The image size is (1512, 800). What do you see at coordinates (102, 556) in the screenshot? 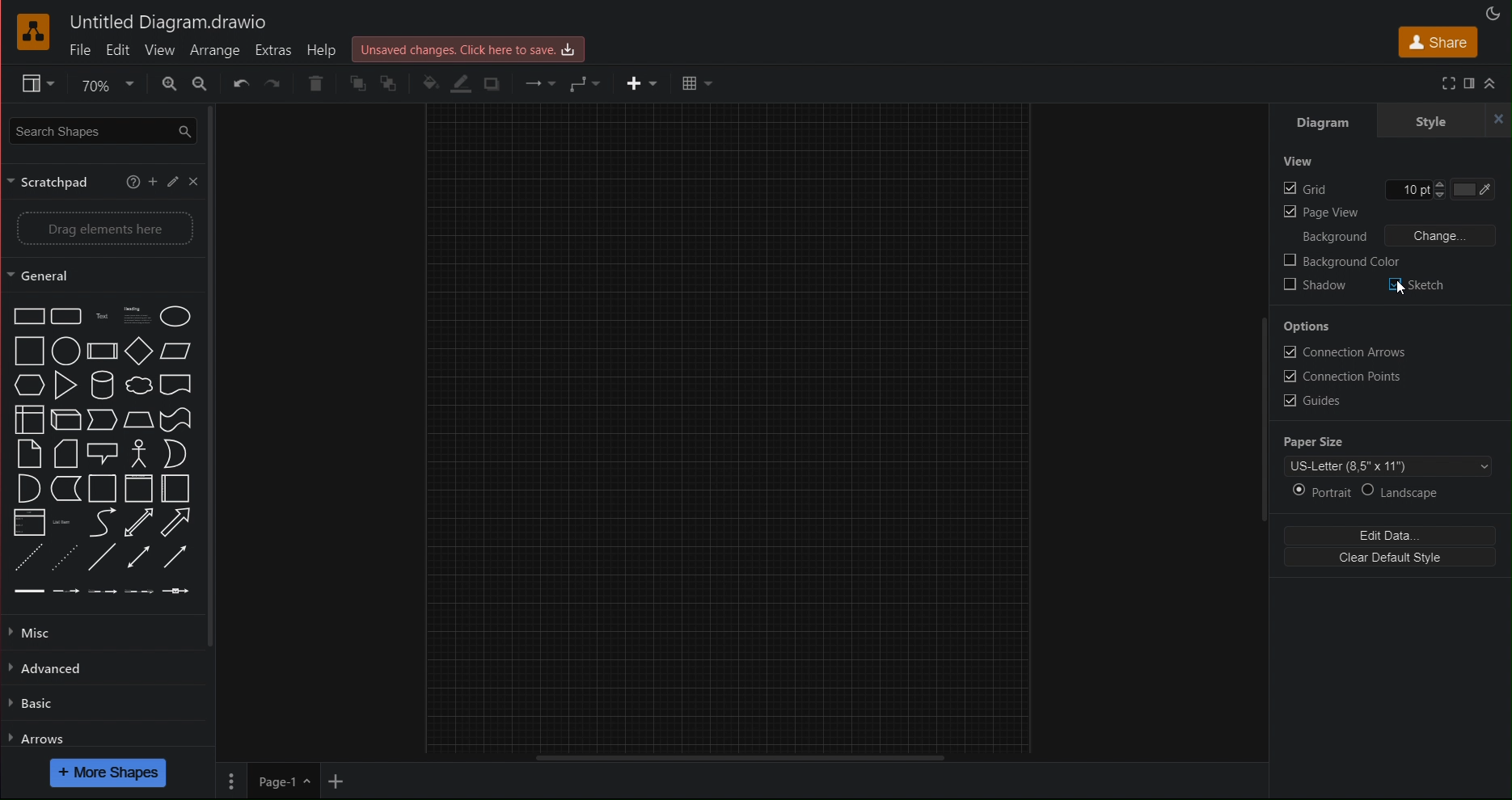
I see `line` at bounding box center [102, 556].